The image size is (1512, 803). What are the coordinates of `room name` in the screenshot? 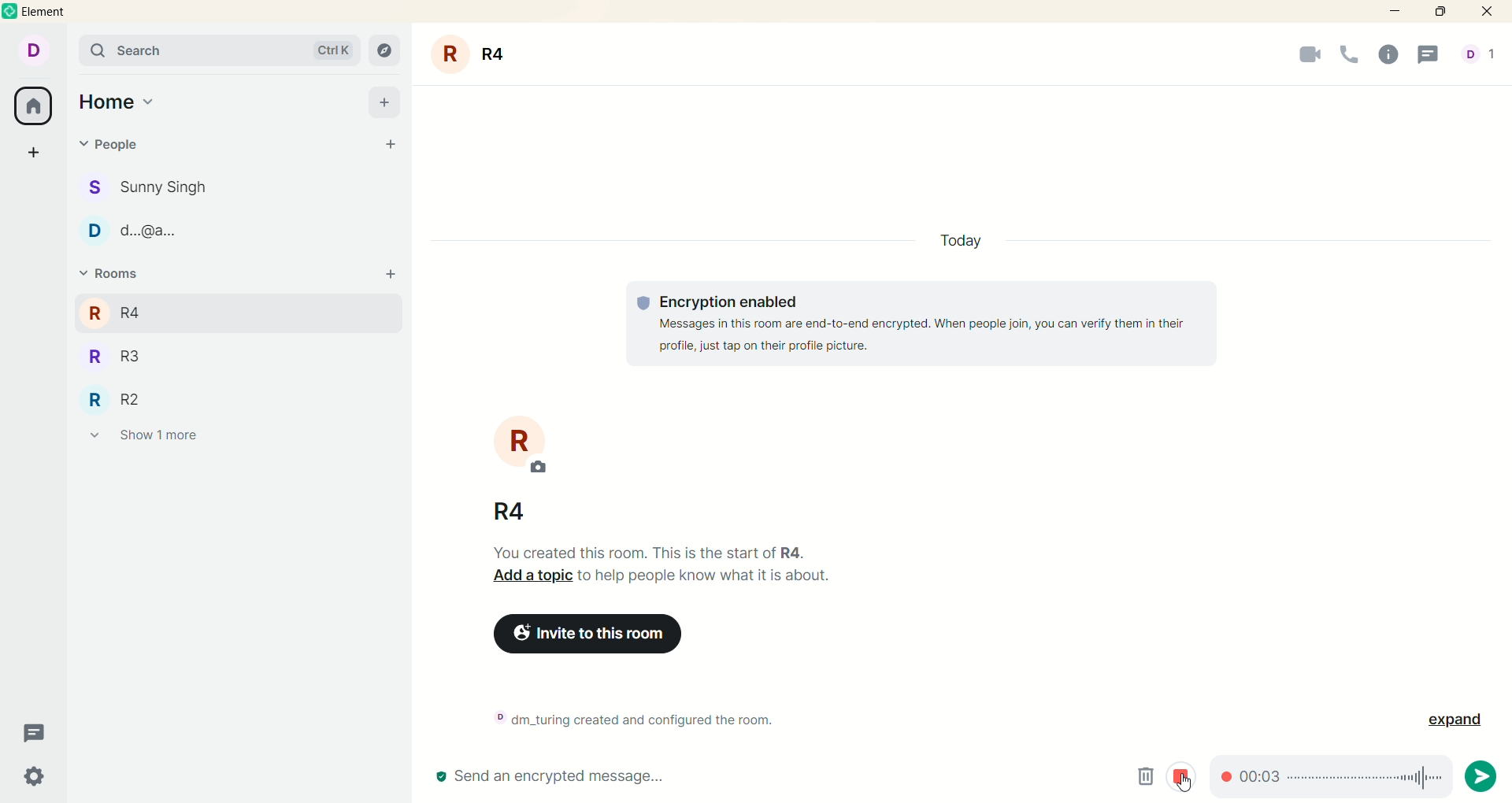 It's located at (476, 54).